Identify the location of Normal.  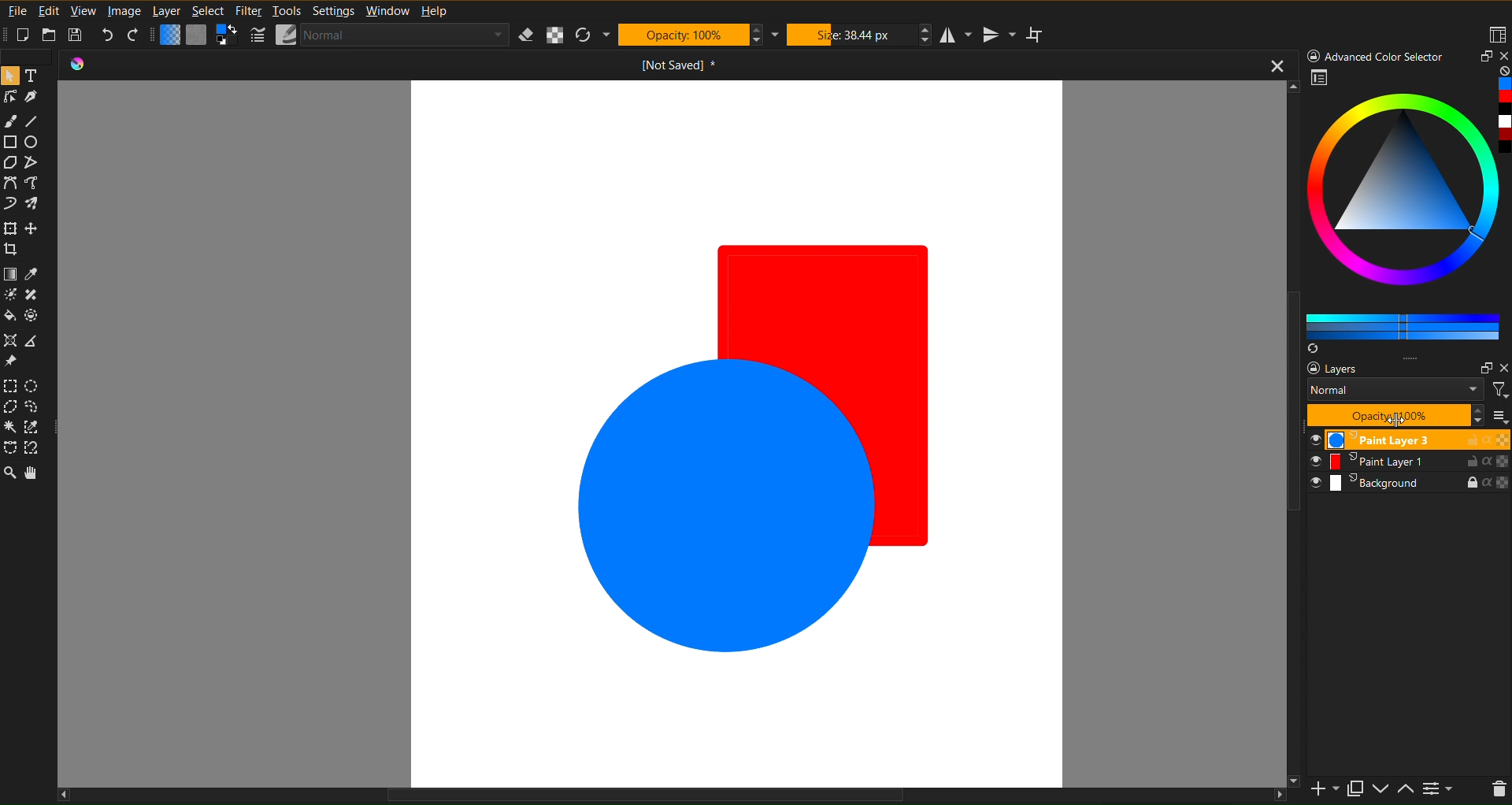
(1394, 390).